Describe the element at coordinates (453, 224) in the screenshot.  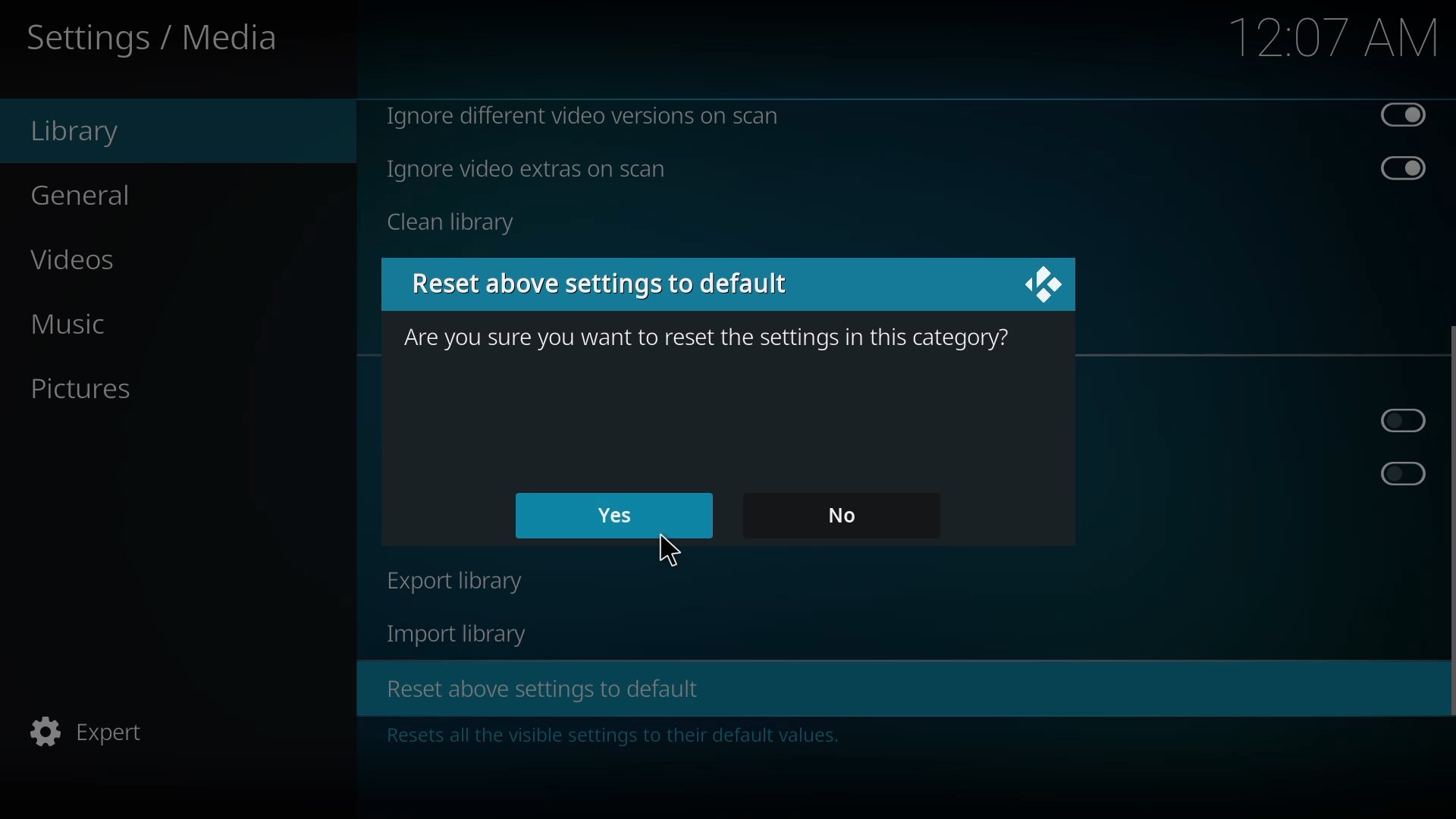
I see `clean` at that location.